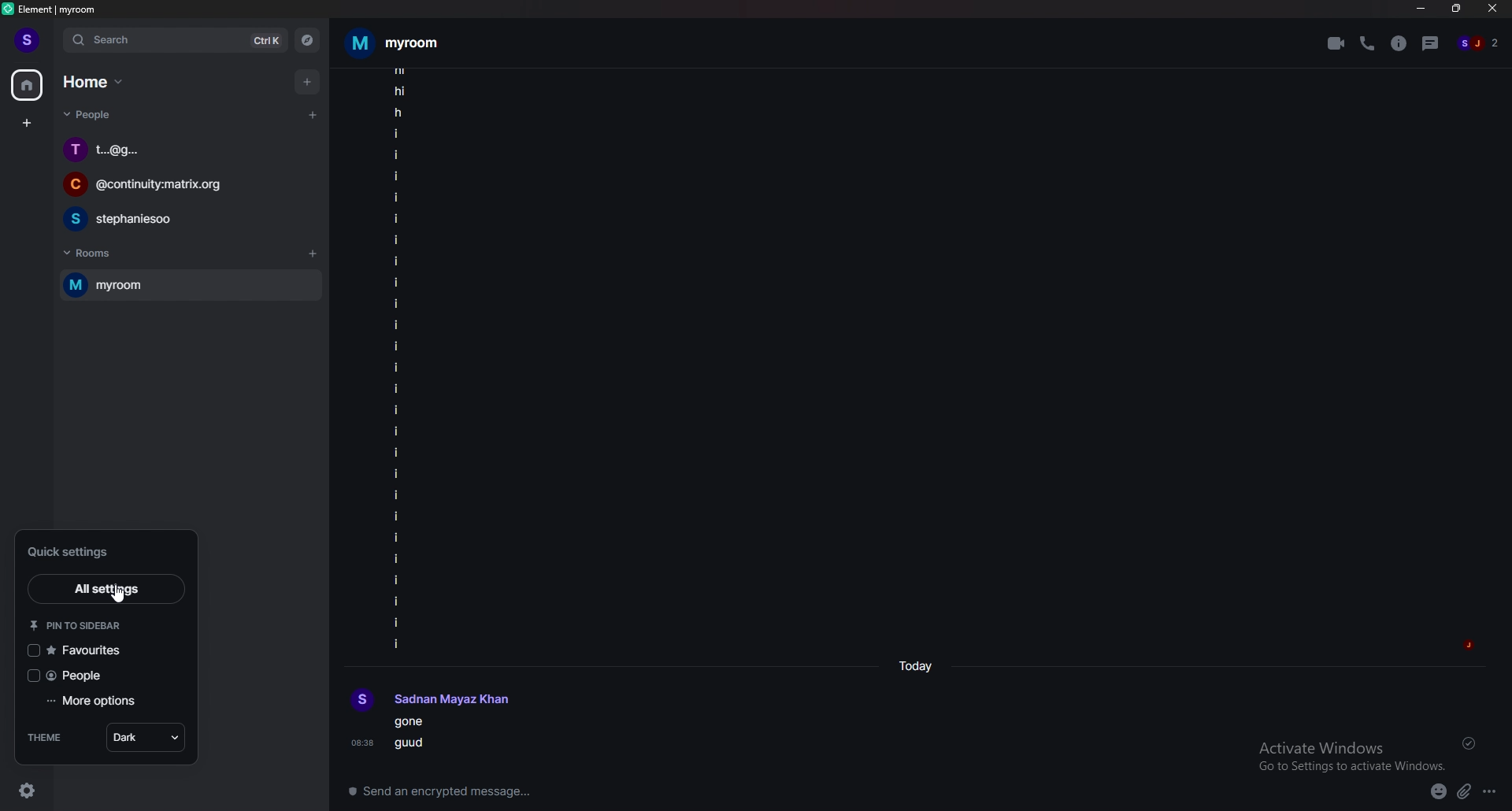  What do you see at coordinates (36, 786) in the screenshot?
I see `settings` at bounding box center [36, 786].